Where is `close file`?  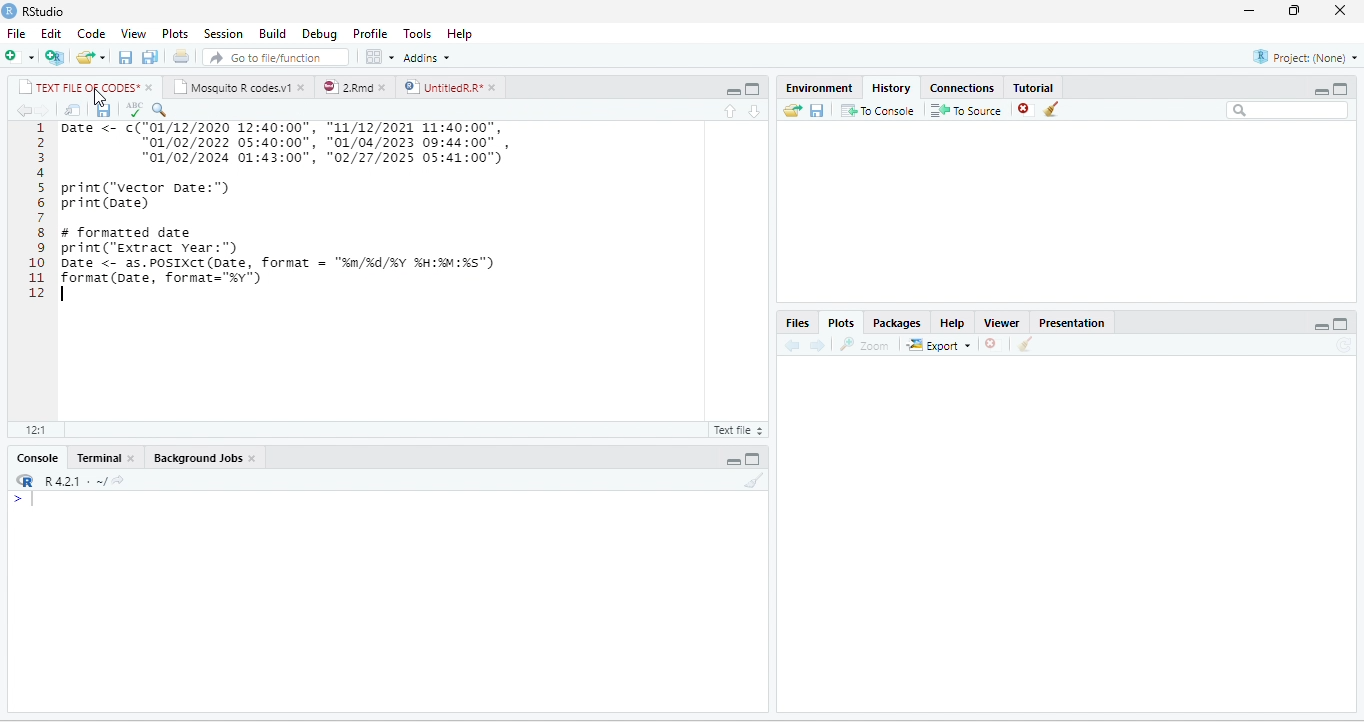 close file is located at coordinates (996, 344).